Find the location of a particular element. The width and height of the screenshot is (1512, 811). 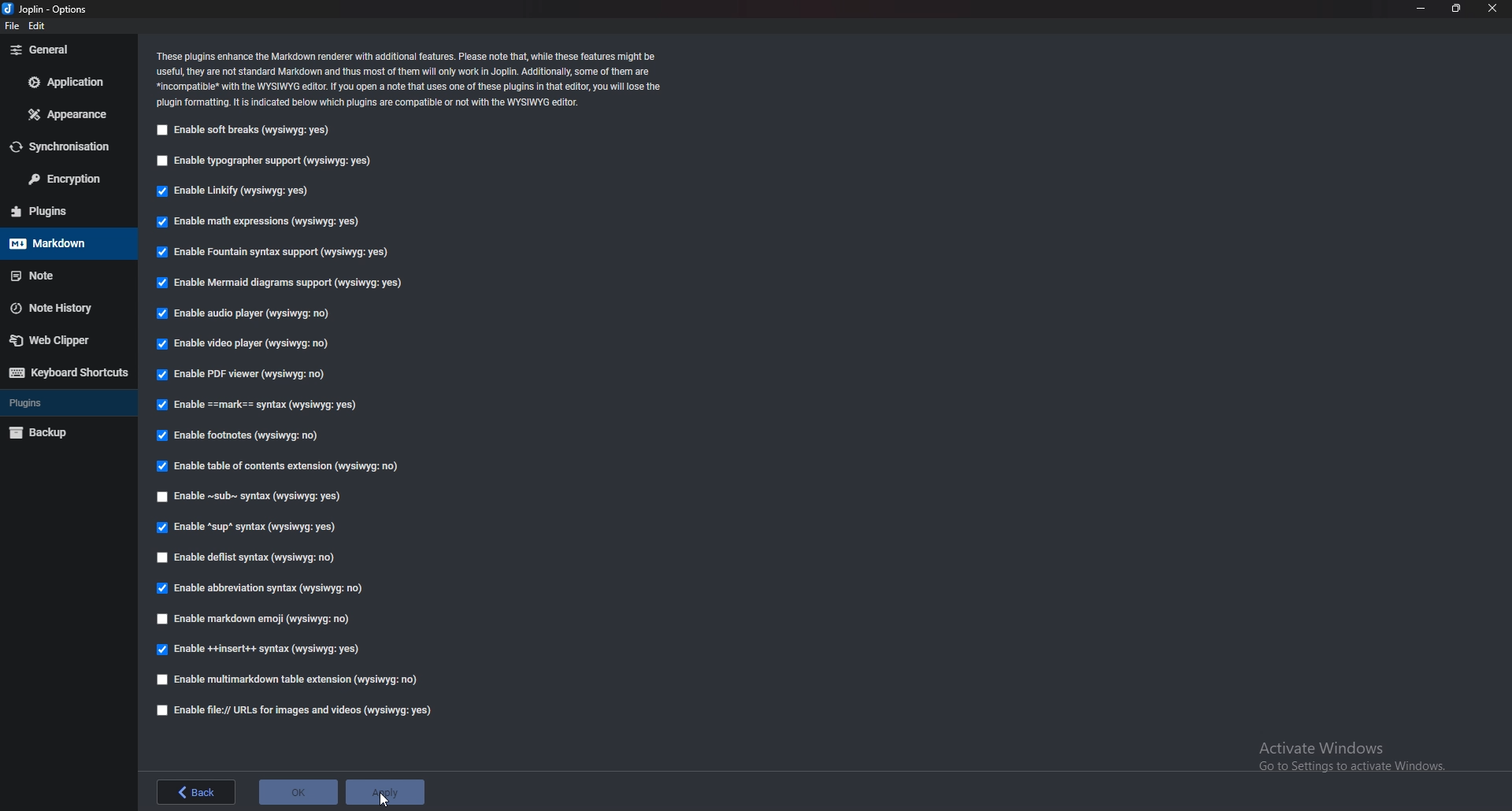

Enable P D F viewer is located at coordinates (250, 373).